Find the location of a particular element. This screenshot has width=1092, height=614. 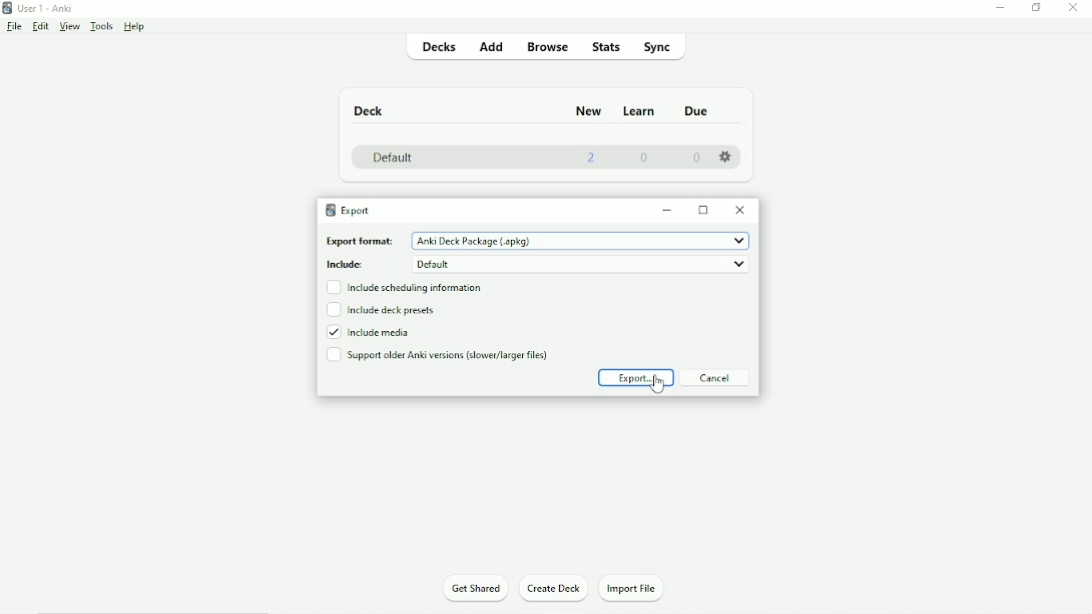

Settings is located at coordinates (727, 157).